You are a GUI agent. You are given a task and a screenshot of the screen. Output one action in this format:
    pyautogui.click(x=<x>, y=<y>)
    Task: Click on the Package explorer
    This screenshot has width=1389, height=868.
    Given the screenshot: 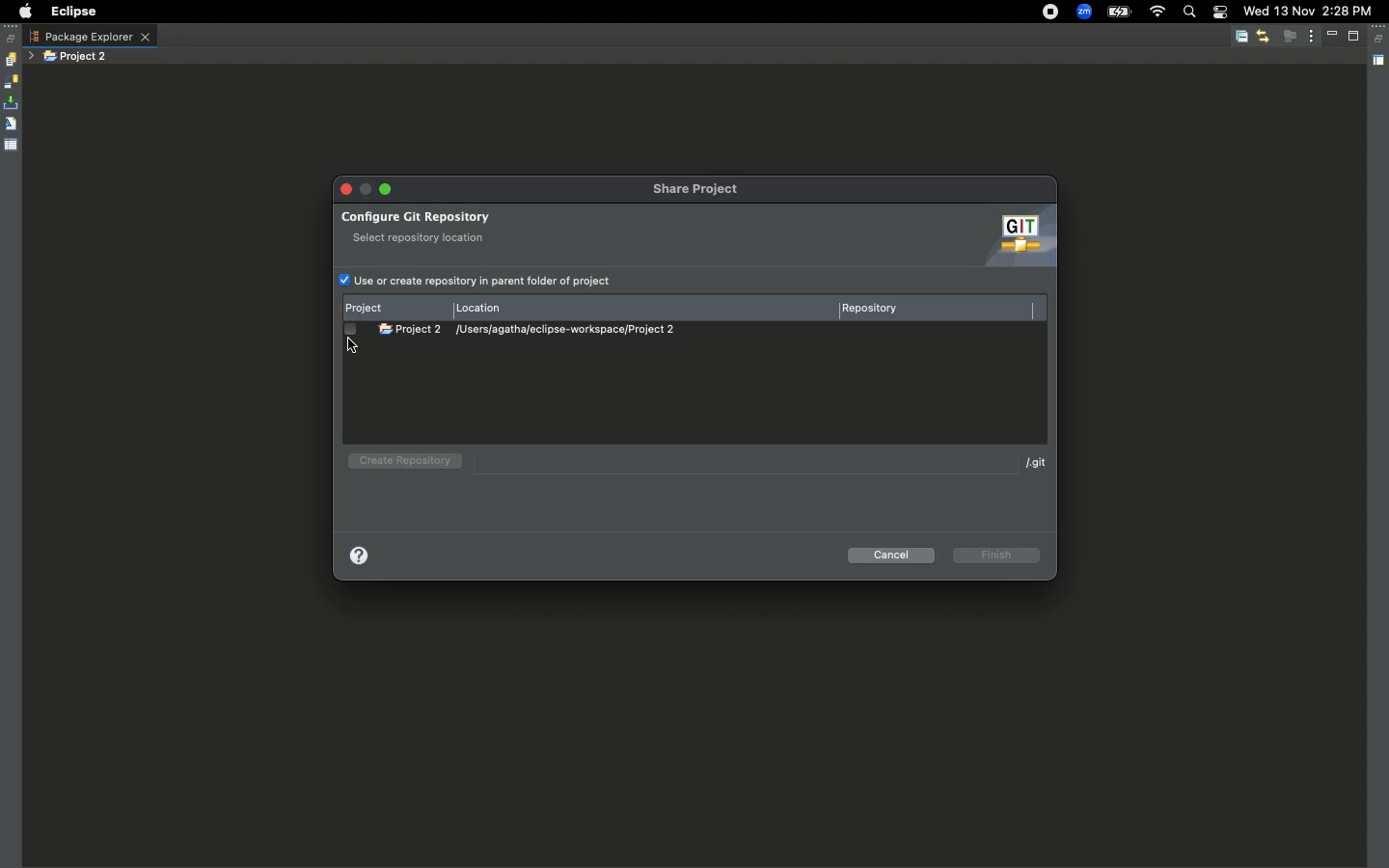 What is the action you would take?
    pyautogui.click(x=90, y=37)
    